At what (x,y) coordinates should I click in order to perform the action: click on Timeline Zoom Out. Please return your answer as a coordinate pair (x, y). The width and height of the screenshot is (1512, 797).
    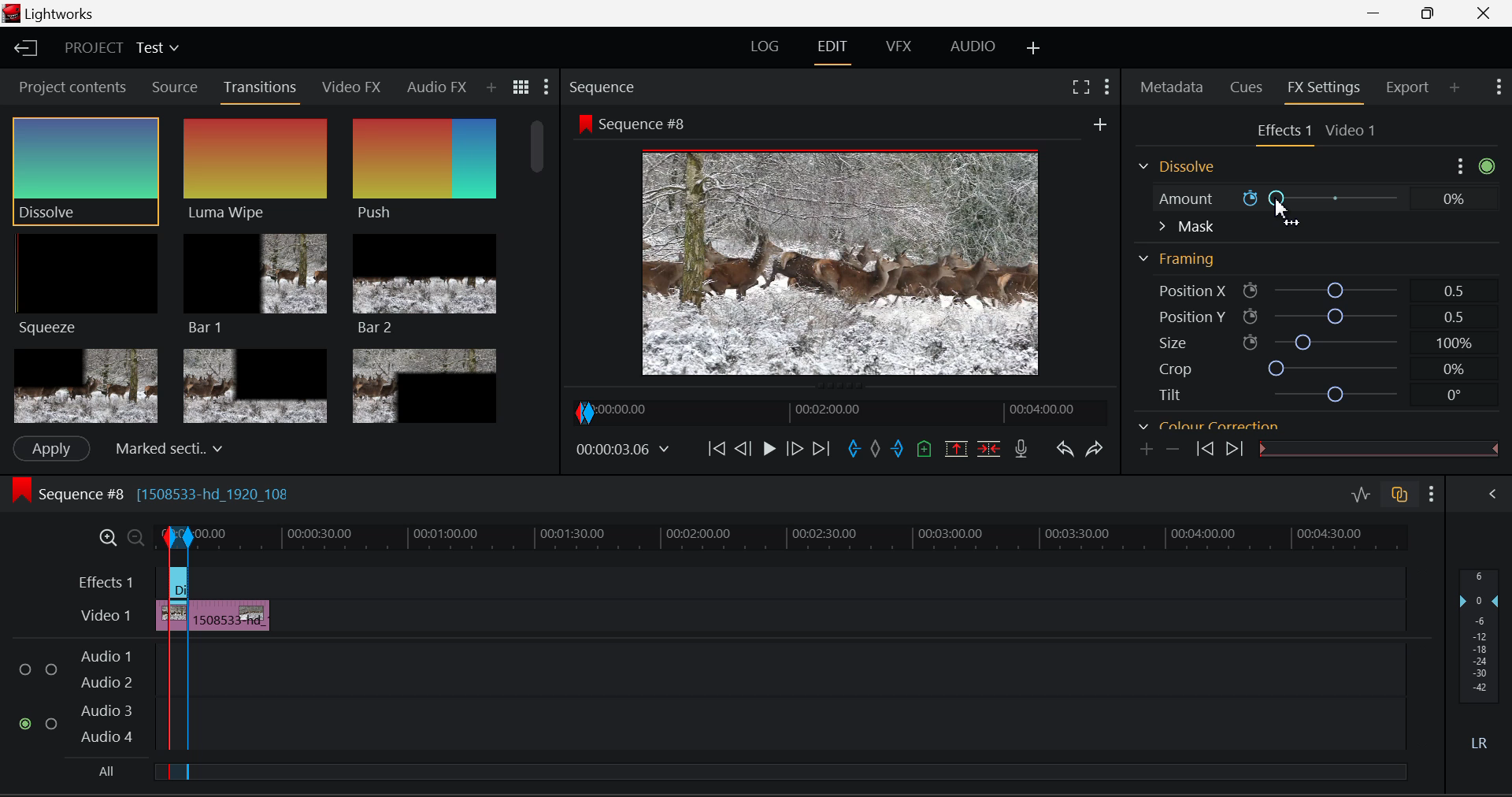
    Looking at the image, I should click on (129, 535).